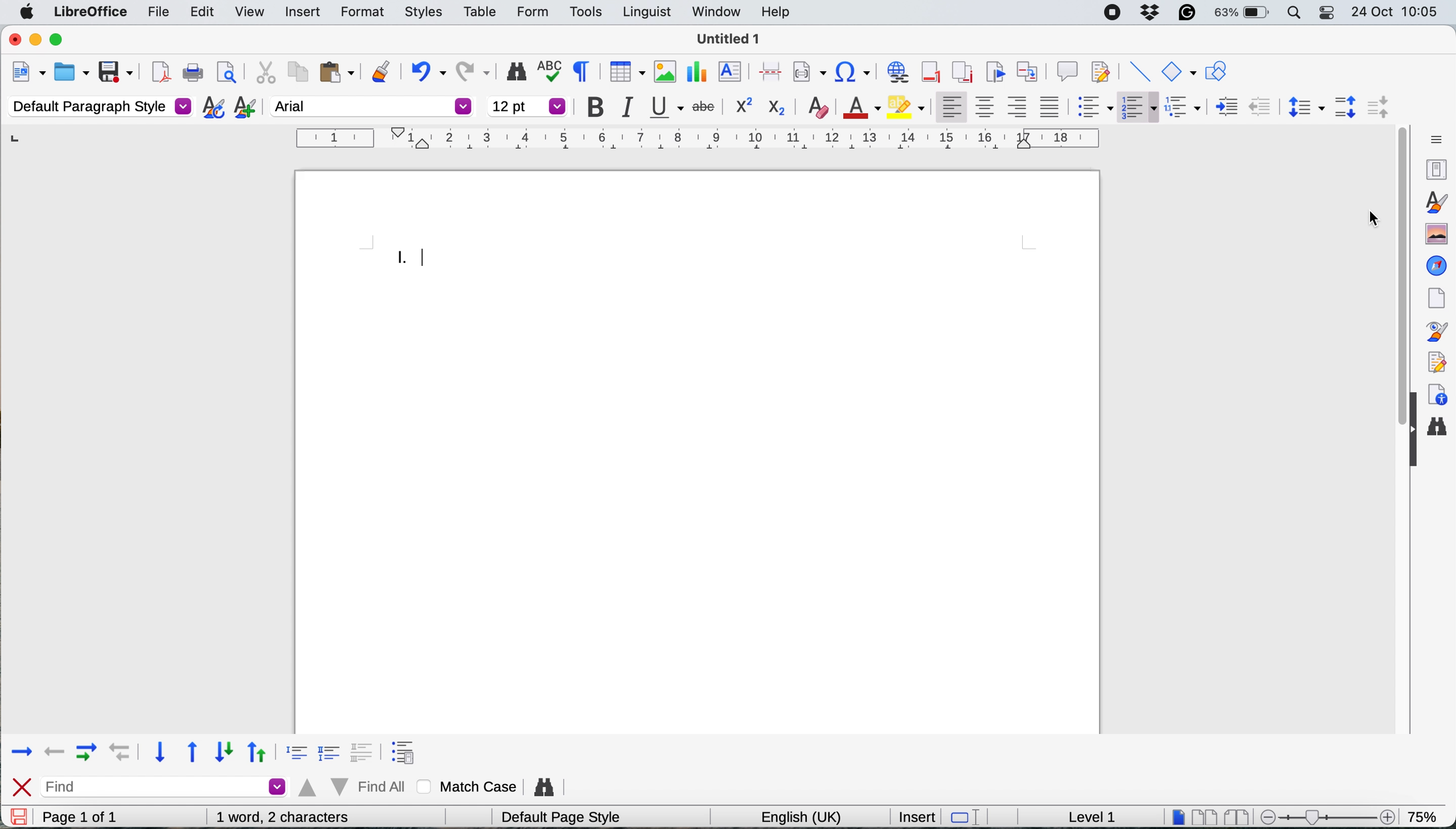 The width and height of the screenshot is (1456, 829). What do you see at coordinates (600, 108) in the screenshot?
I see `bold` at bounding box center [600, 108].